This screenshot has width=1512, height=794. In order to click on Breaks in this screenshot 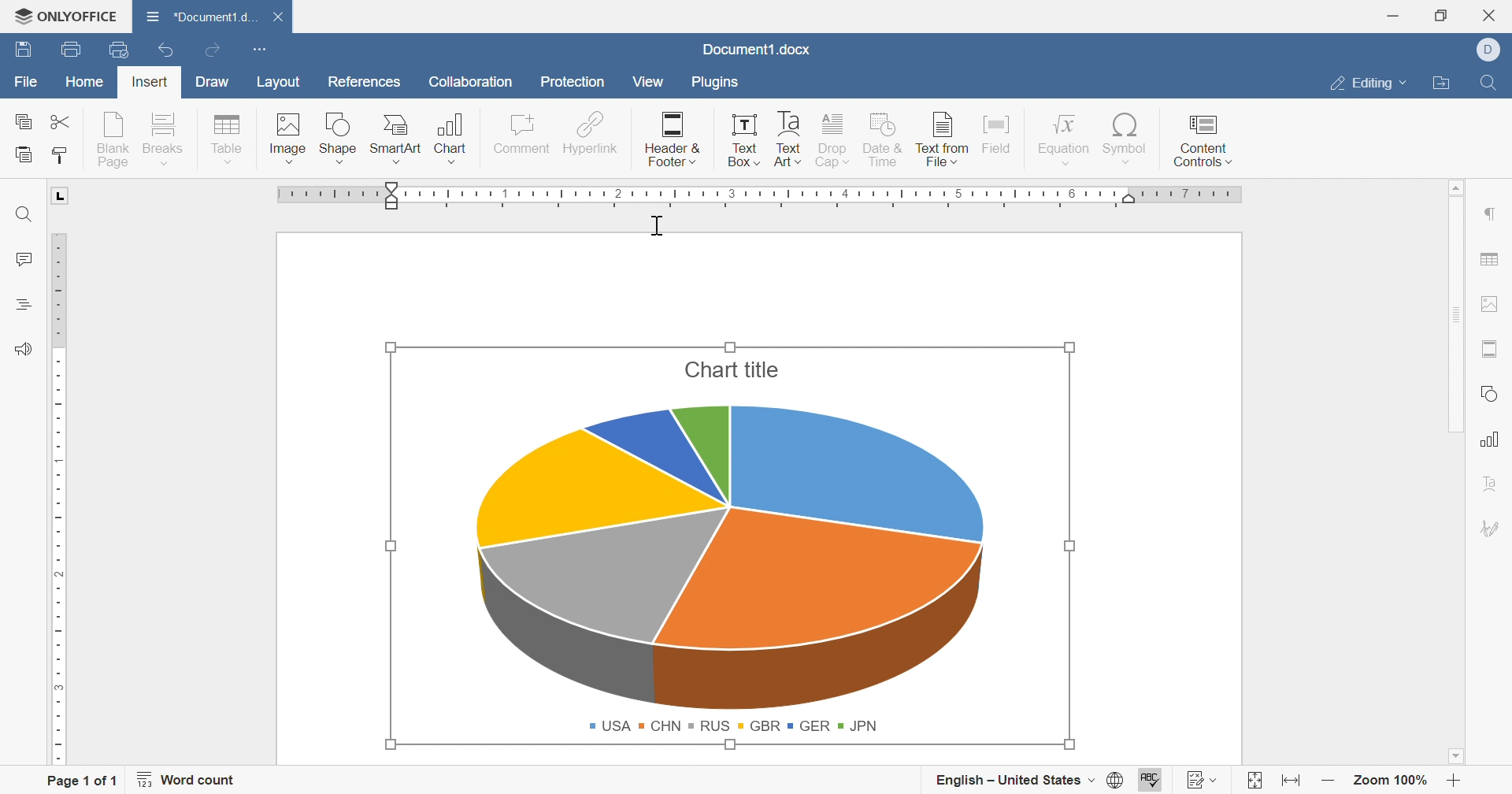, I will do `click(164, 138)`.